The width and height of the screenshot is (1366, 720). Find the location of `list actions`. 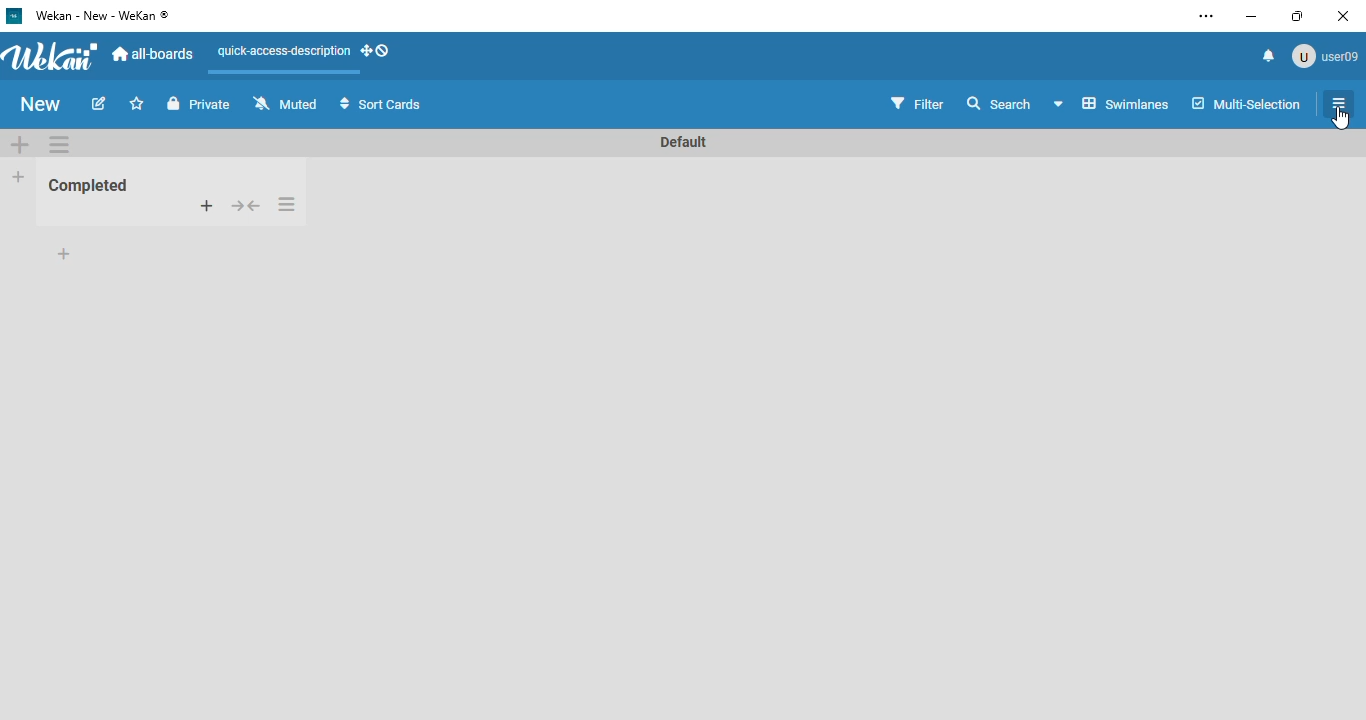

list actions is located at coordinates (63, 143).